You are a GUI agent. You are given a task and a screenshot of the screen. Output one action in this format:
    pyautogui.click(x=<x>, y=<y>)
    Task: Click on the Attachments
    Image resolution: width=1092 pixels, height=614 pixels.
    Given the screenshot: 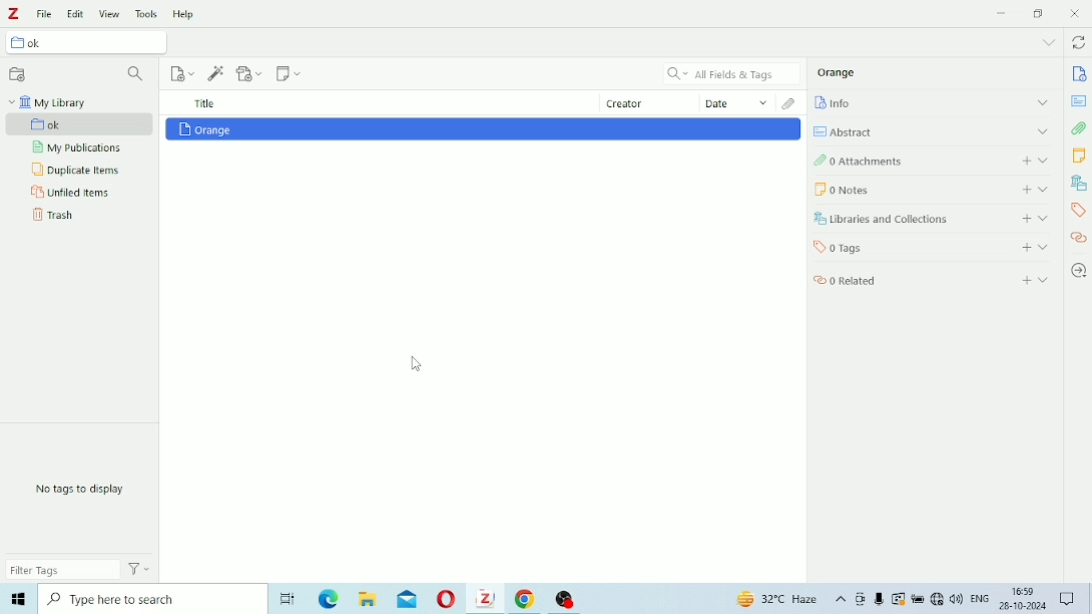 What is the action you would take?
    pyautogui.click(x=791, y=103)
    